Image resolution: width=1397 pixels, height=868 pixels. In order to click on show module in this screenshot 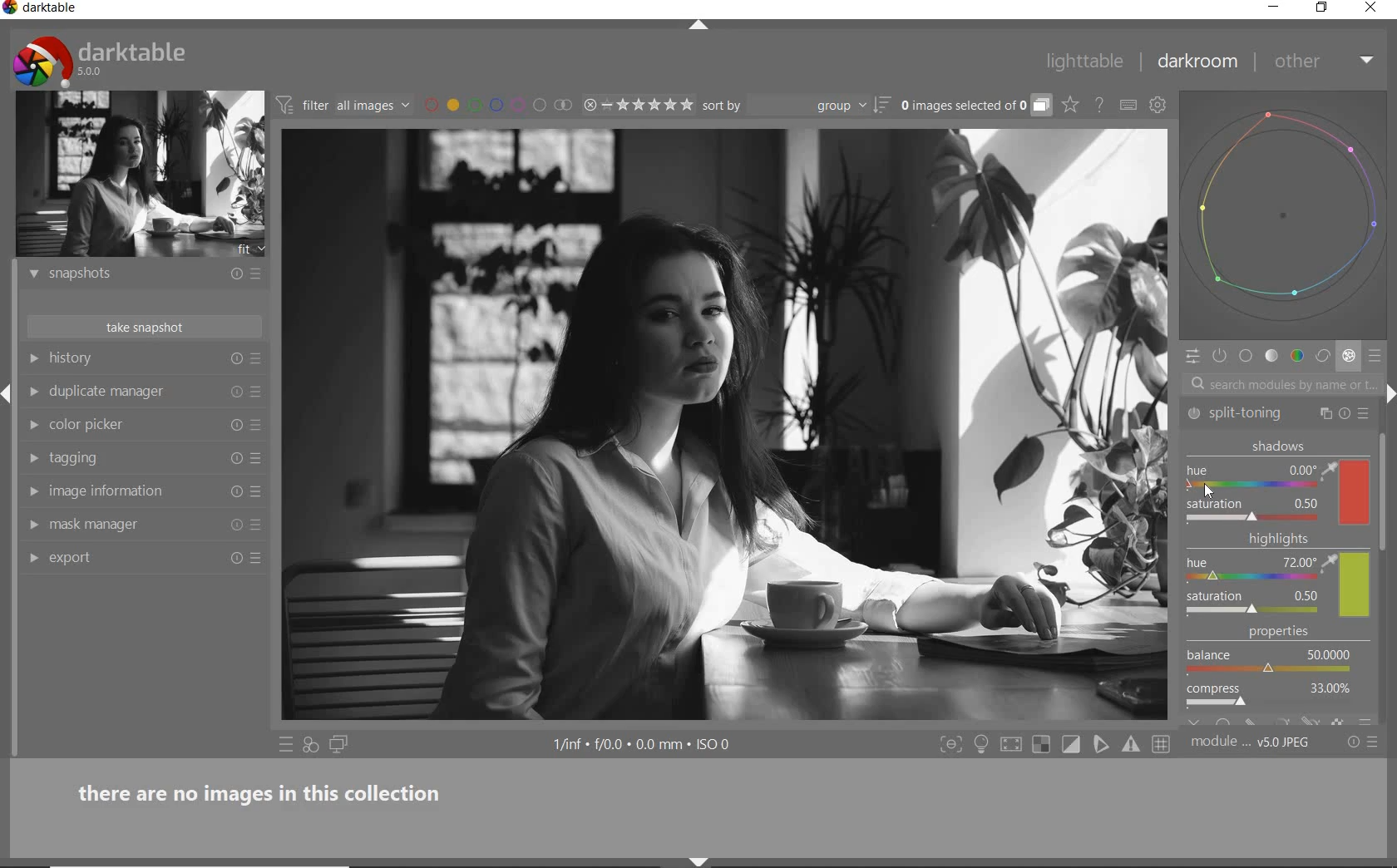, I will do `click(33, 392)`.